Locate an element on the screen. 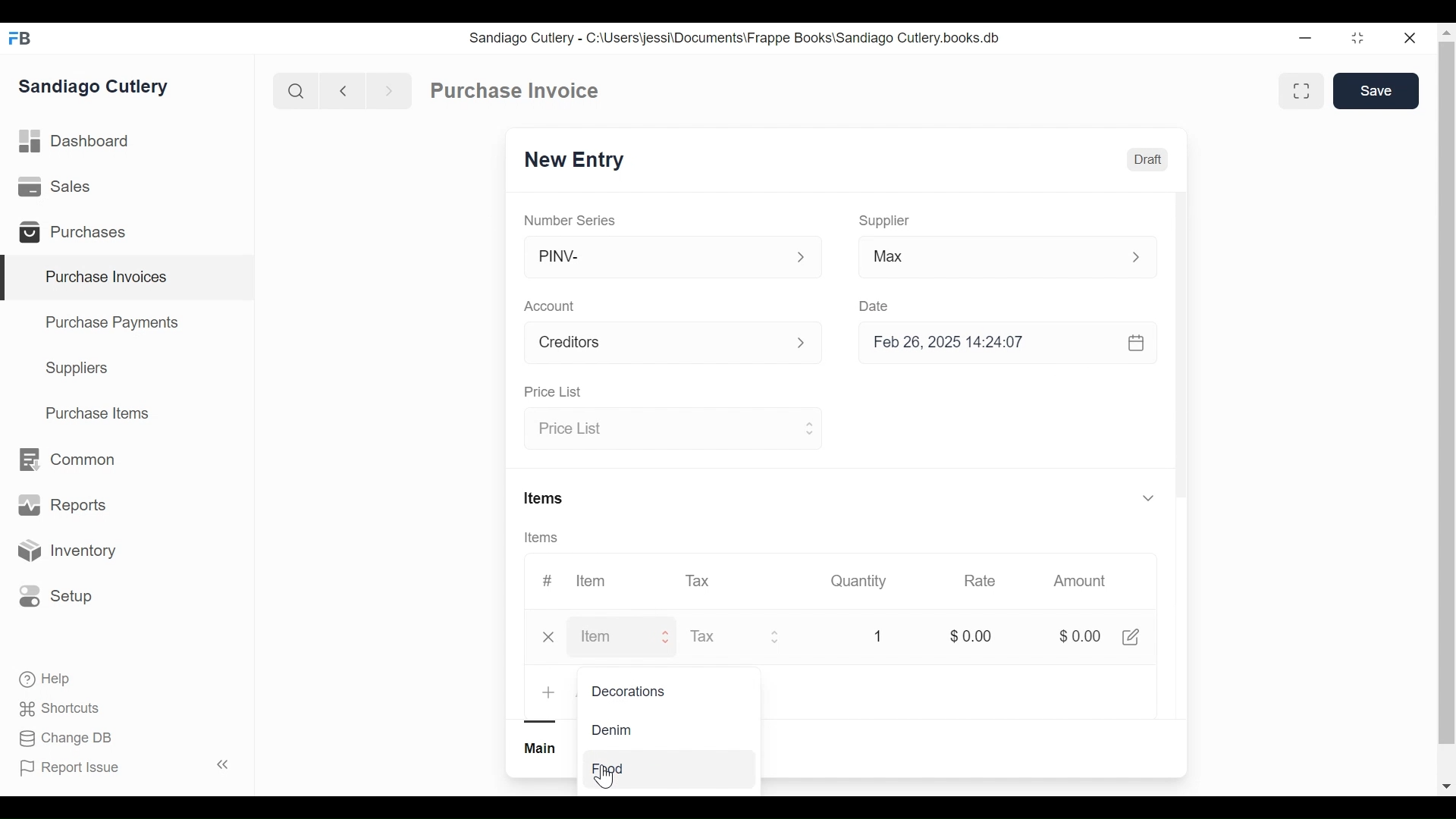  Setup is located at coordinates (56, 595).